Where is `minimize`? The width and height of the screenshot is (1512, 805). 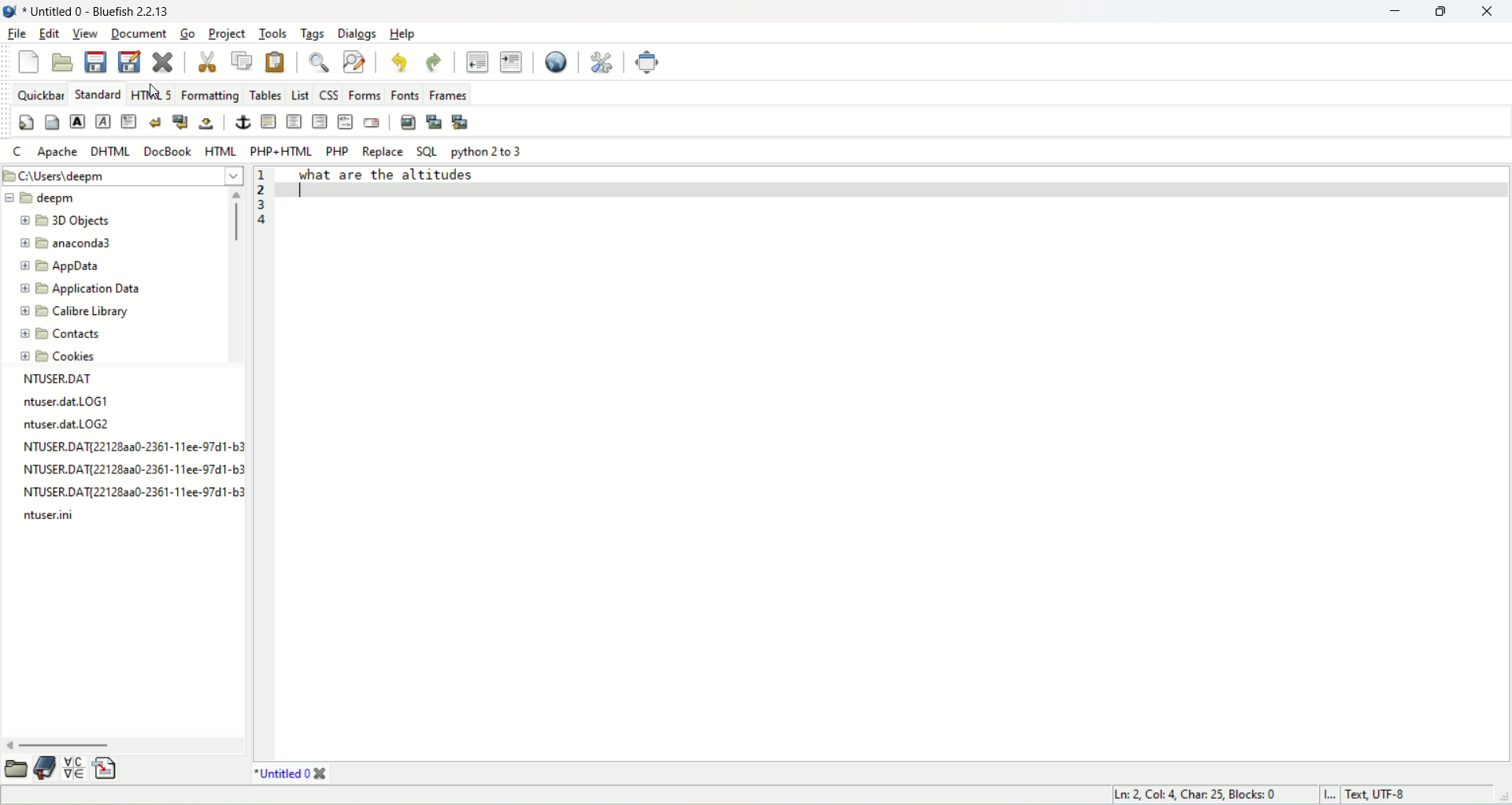 minimize is located at coordinates (1392, 12).